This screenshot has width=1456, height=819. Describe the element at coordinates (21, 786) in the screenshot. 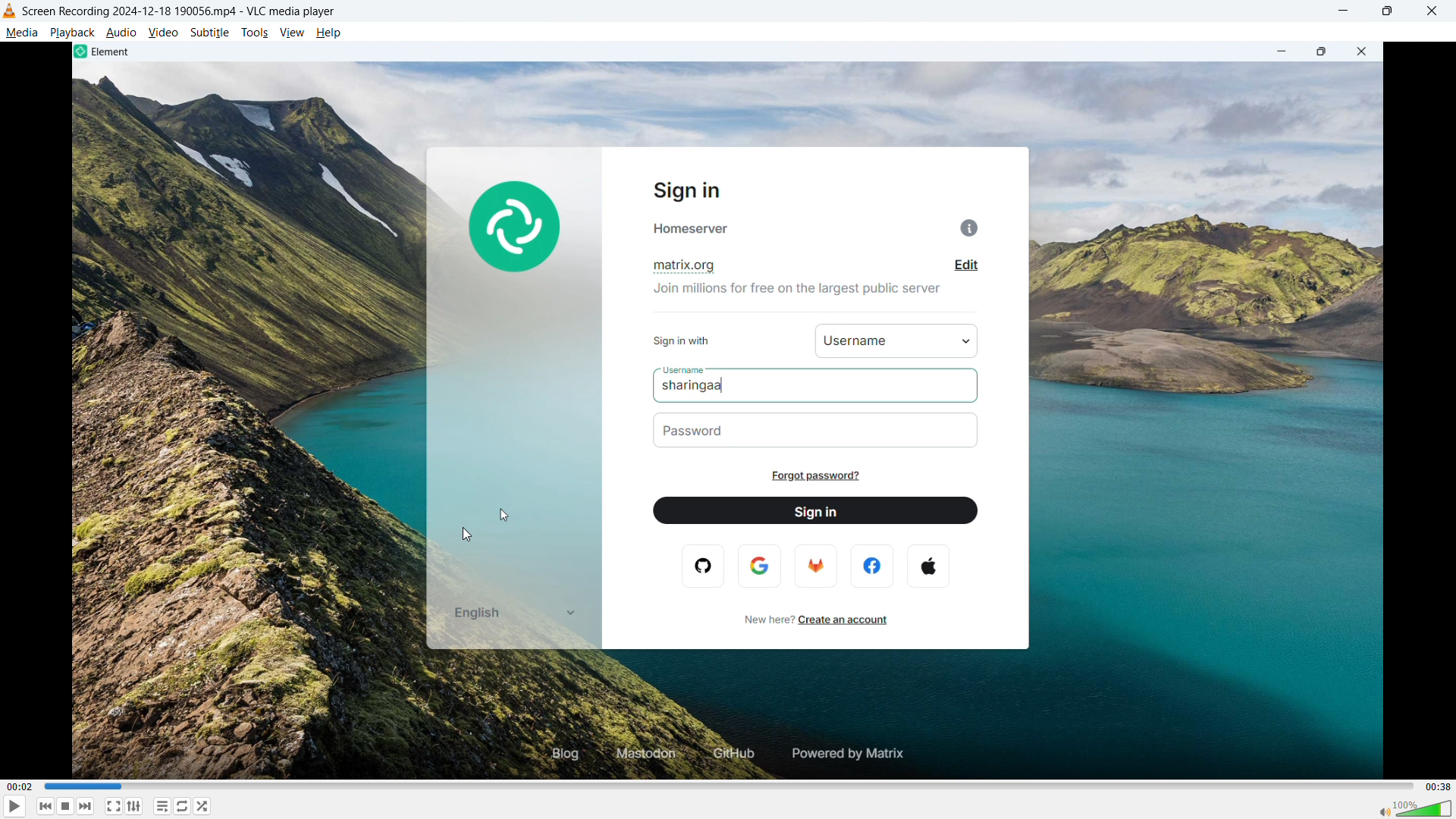

I see `00 : 02` at that location.